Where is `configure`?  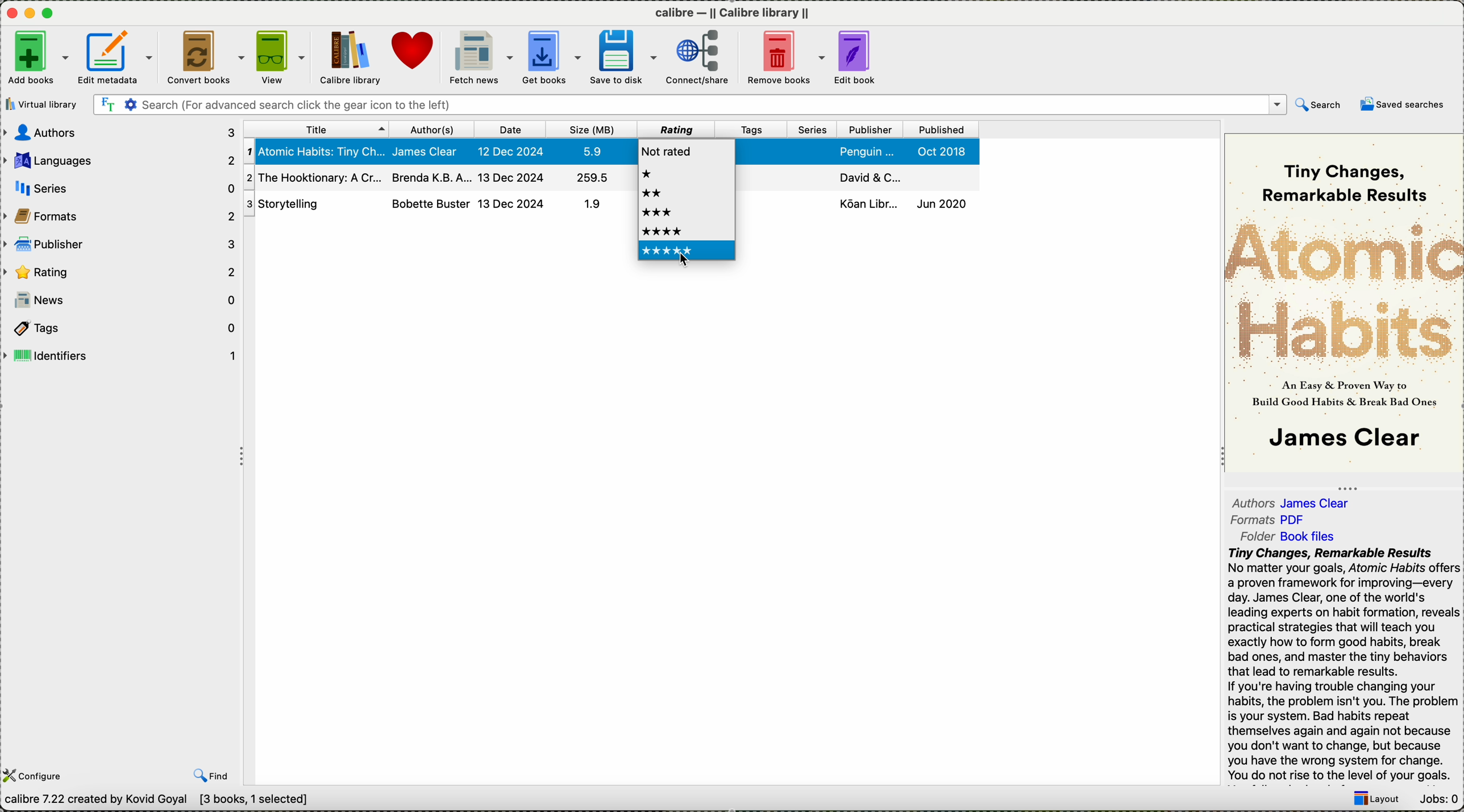 configure is located at coordinates (38, 774).